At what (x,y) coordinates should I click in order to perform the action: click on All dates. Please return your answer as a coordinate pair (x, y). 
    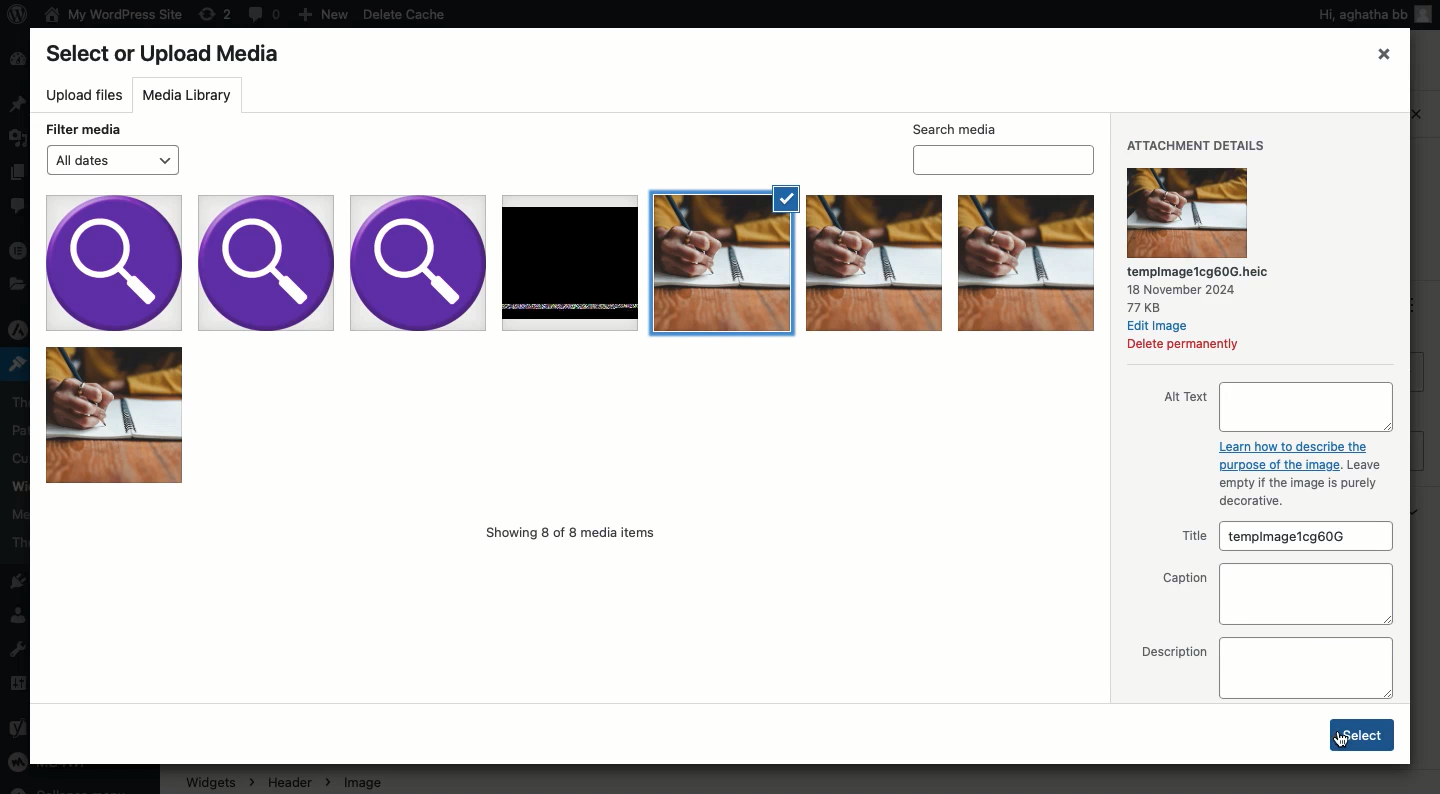
    Looking at the image, I should click on (112, 160).